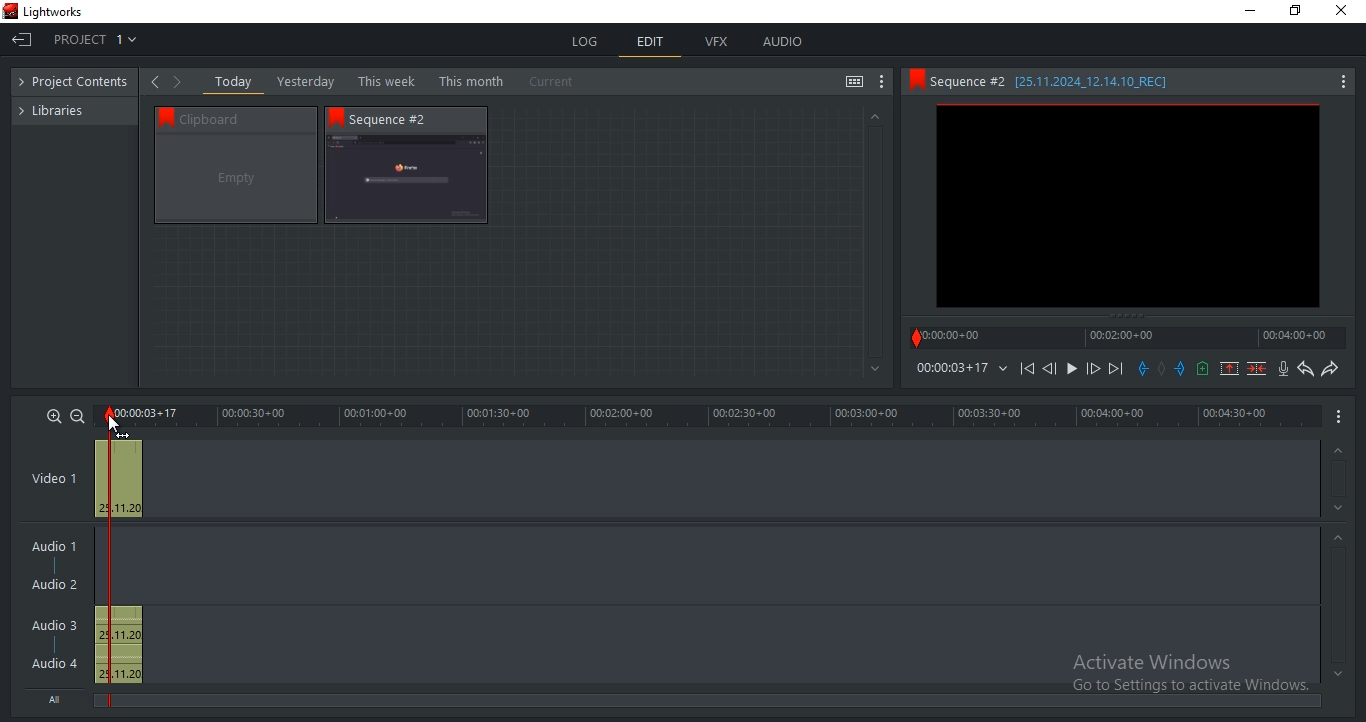  Describe the element at coordinates (76, 418) in the screenshot. I see `zoom out` at that location.